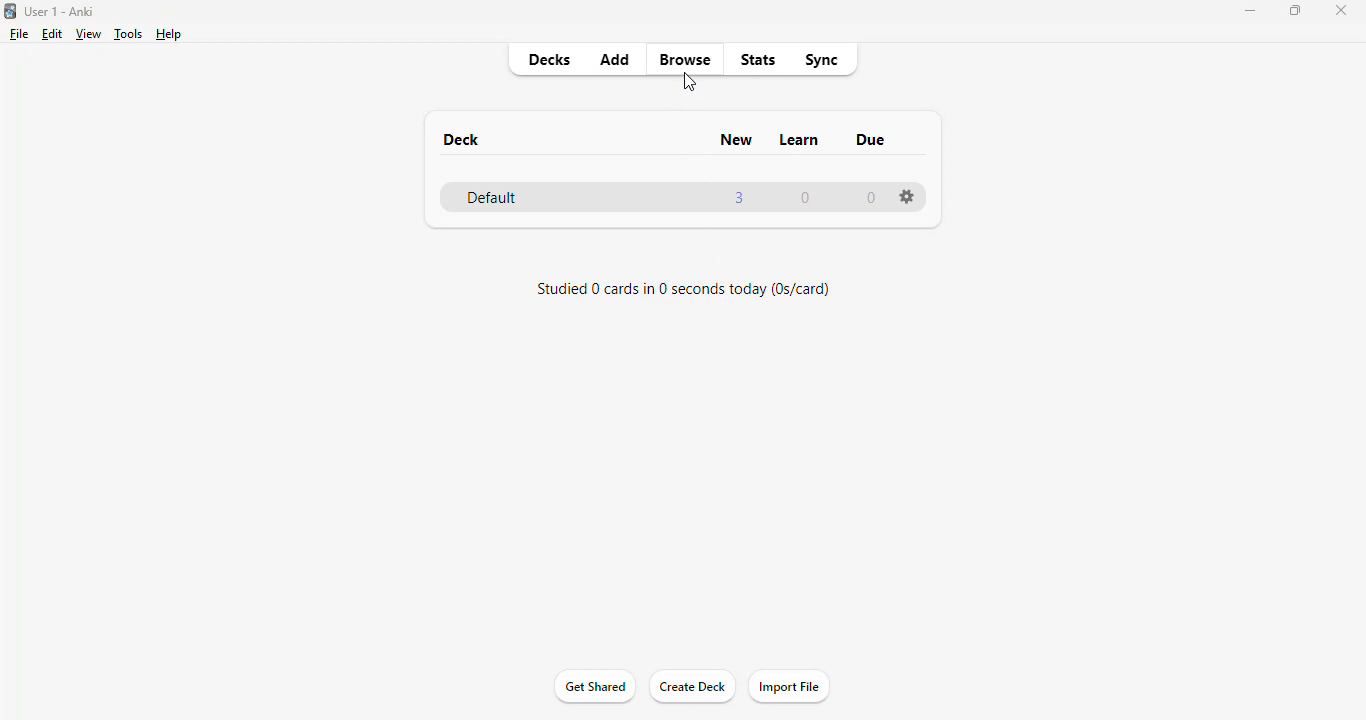 Image resolution: width=1366 pixels, height=720 pixels. Describe the element at coordinates (89, 34) in the screenshot. I see `view` at that location.